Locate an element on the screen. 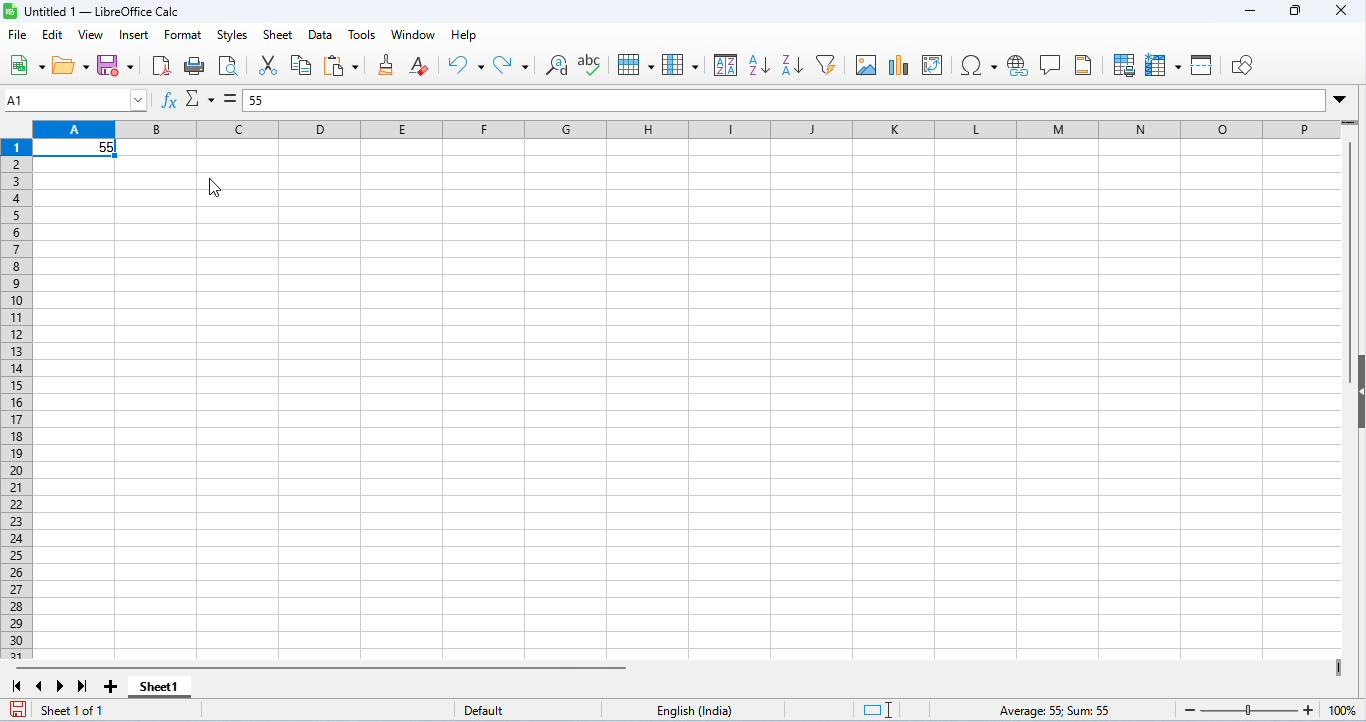 The height and width of the screenshot is (722, 1366). column headings is located at coordinates (684, 130).